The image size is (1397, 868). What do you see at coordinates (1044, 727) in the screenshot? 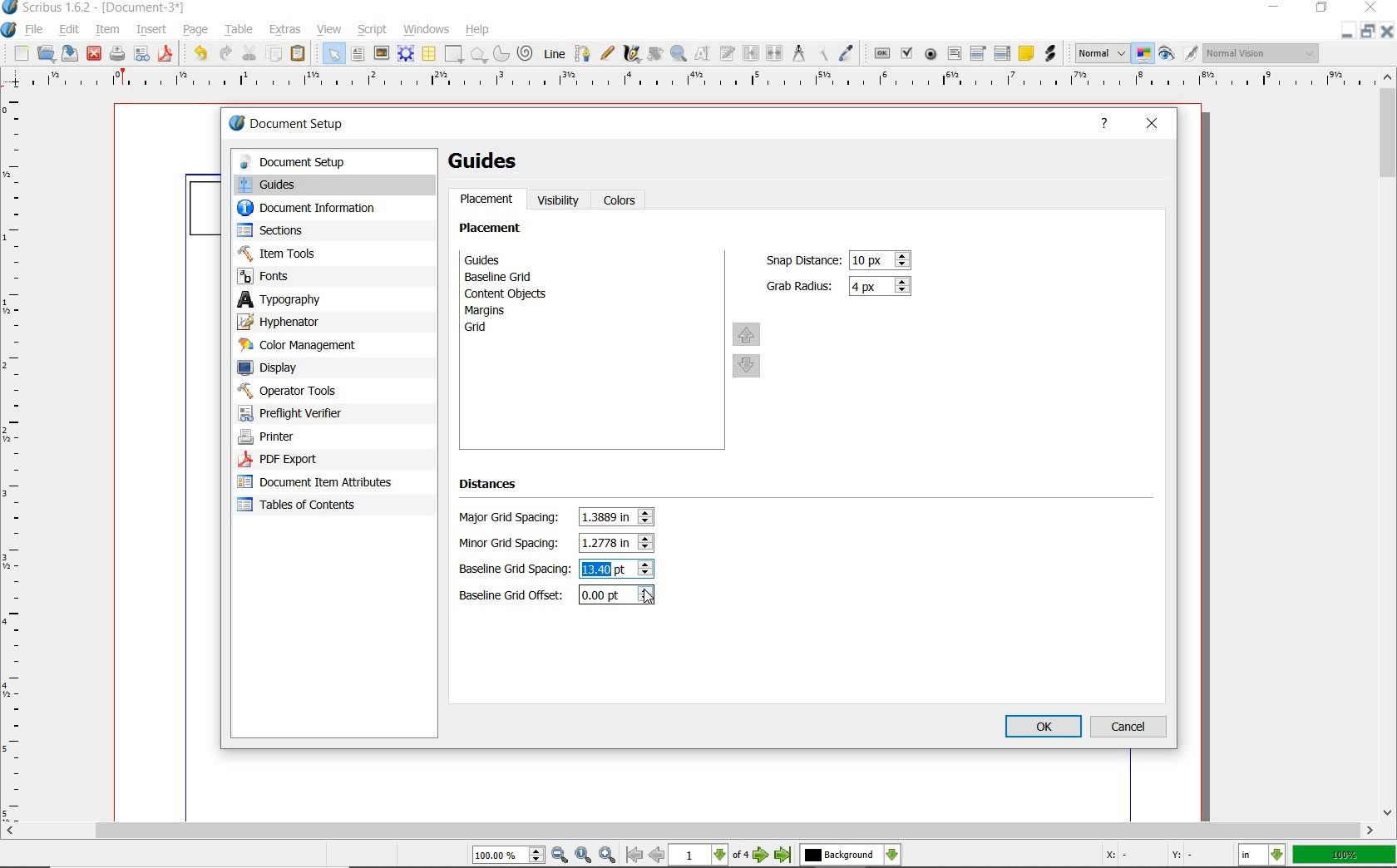
I see `ok` at bounding box center [1044, 727].